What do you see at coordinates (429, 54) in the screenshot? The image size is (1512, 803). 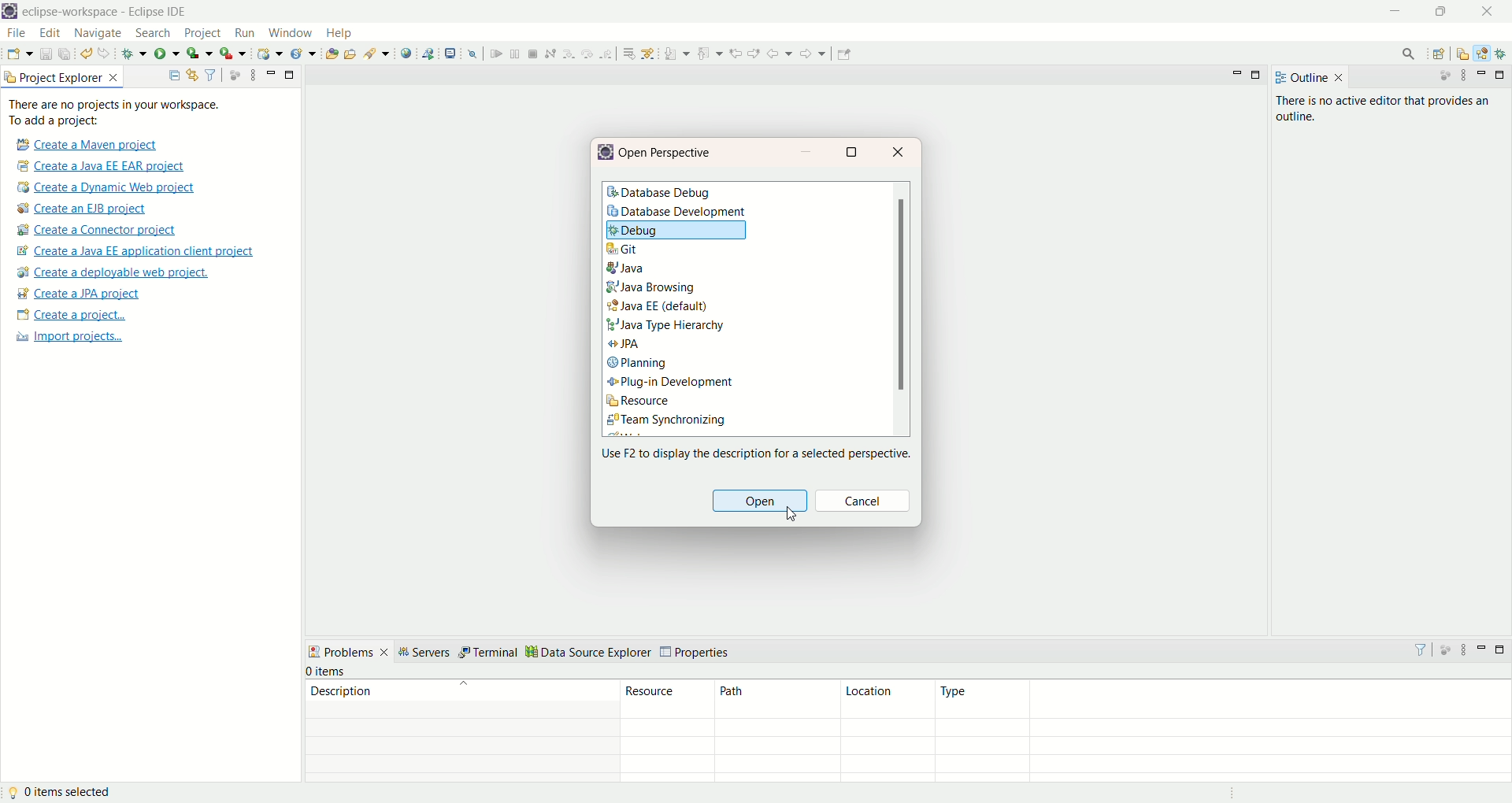 I see `launch web service explorer` at bounding box center [429, 54].